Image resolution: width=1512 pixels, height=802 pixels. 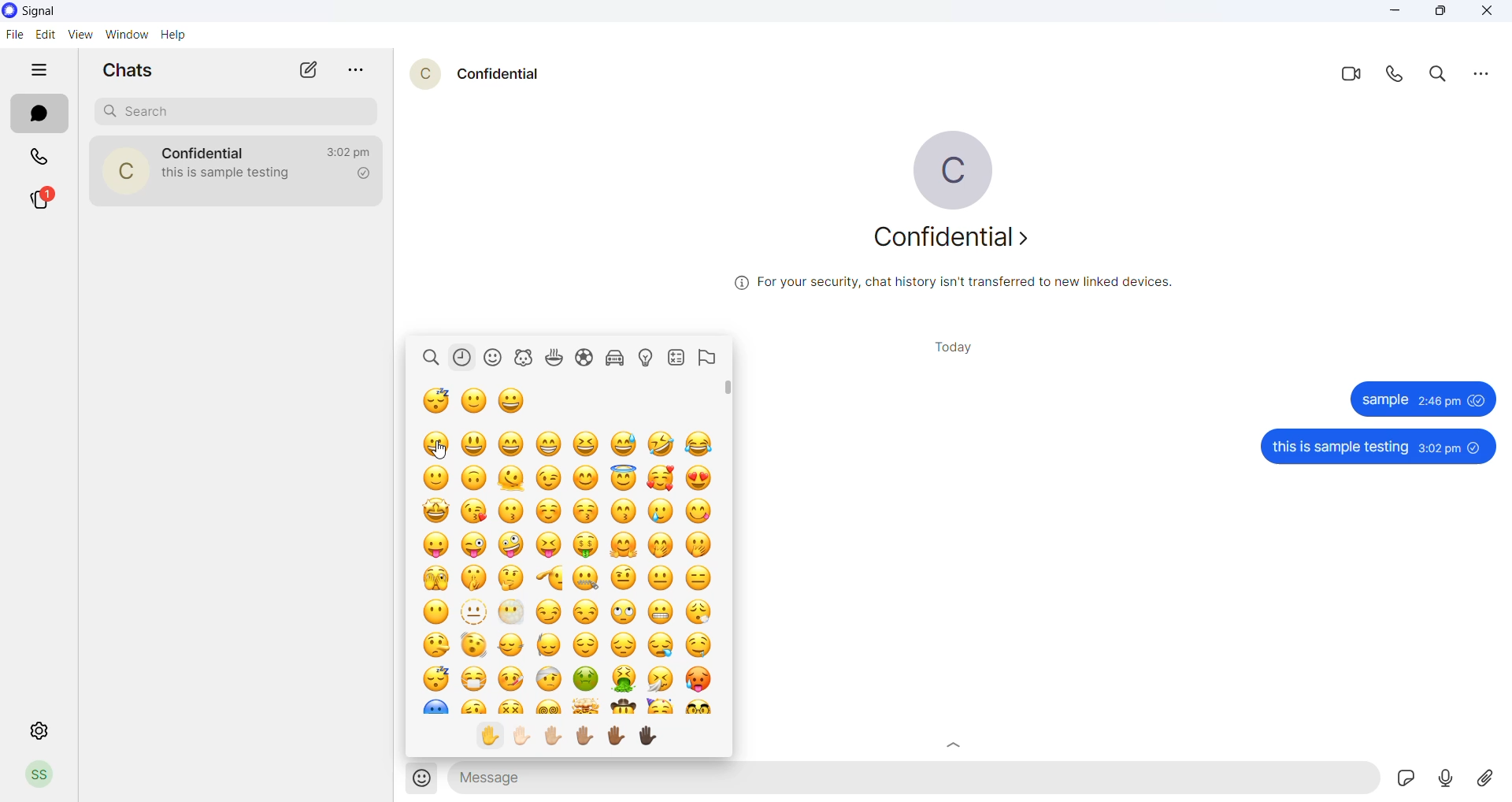 What do you see at coordinates (1391, 13) in the screenshot?
I see `minimize` at bounding box center [1391, 13].